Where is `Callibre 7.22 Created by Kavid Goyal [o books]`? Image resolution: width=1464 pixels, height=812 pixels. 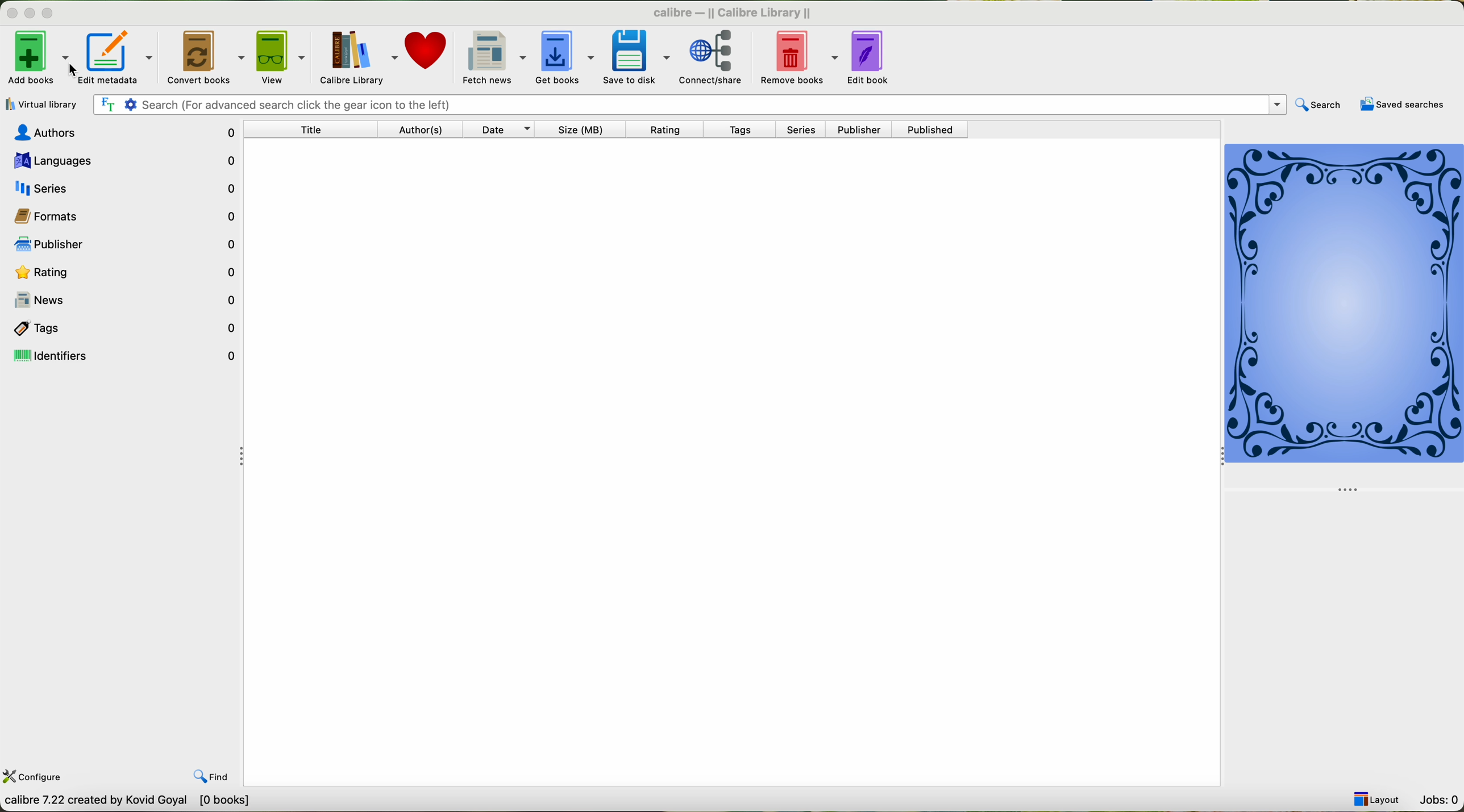 Callibre 7.22 Created by Kavid Goyal [o books] is located at coordinates (138, 803).